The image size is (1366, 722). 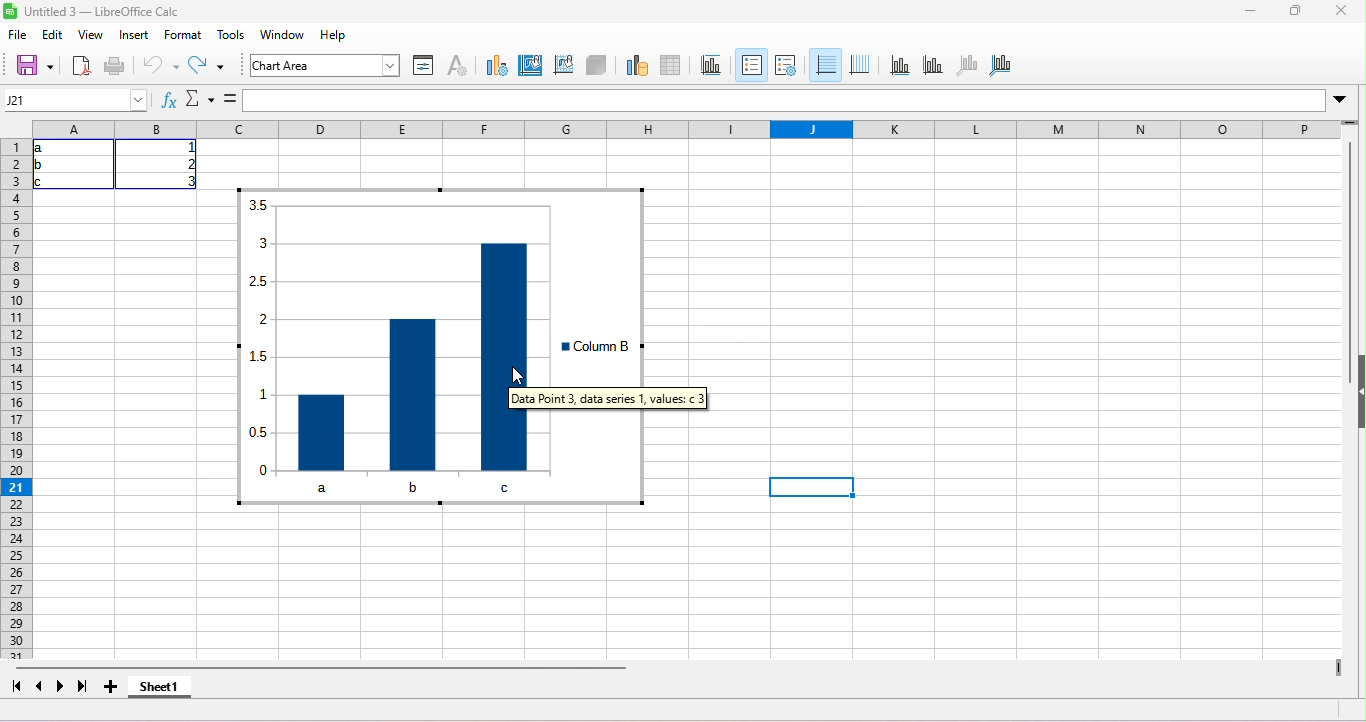 I want to click on input line, so click(x=784, y=101).